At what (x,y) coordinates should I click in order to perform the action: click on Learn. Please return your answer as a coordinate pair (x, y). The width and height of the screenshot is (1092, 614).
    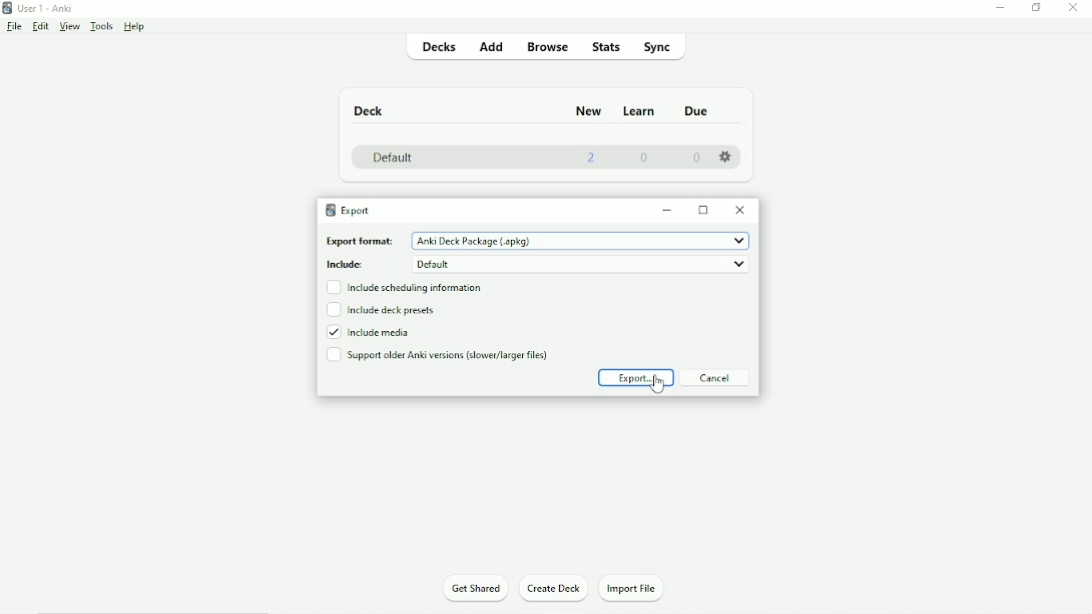
    Looking at the image, I should click on (638, 112).